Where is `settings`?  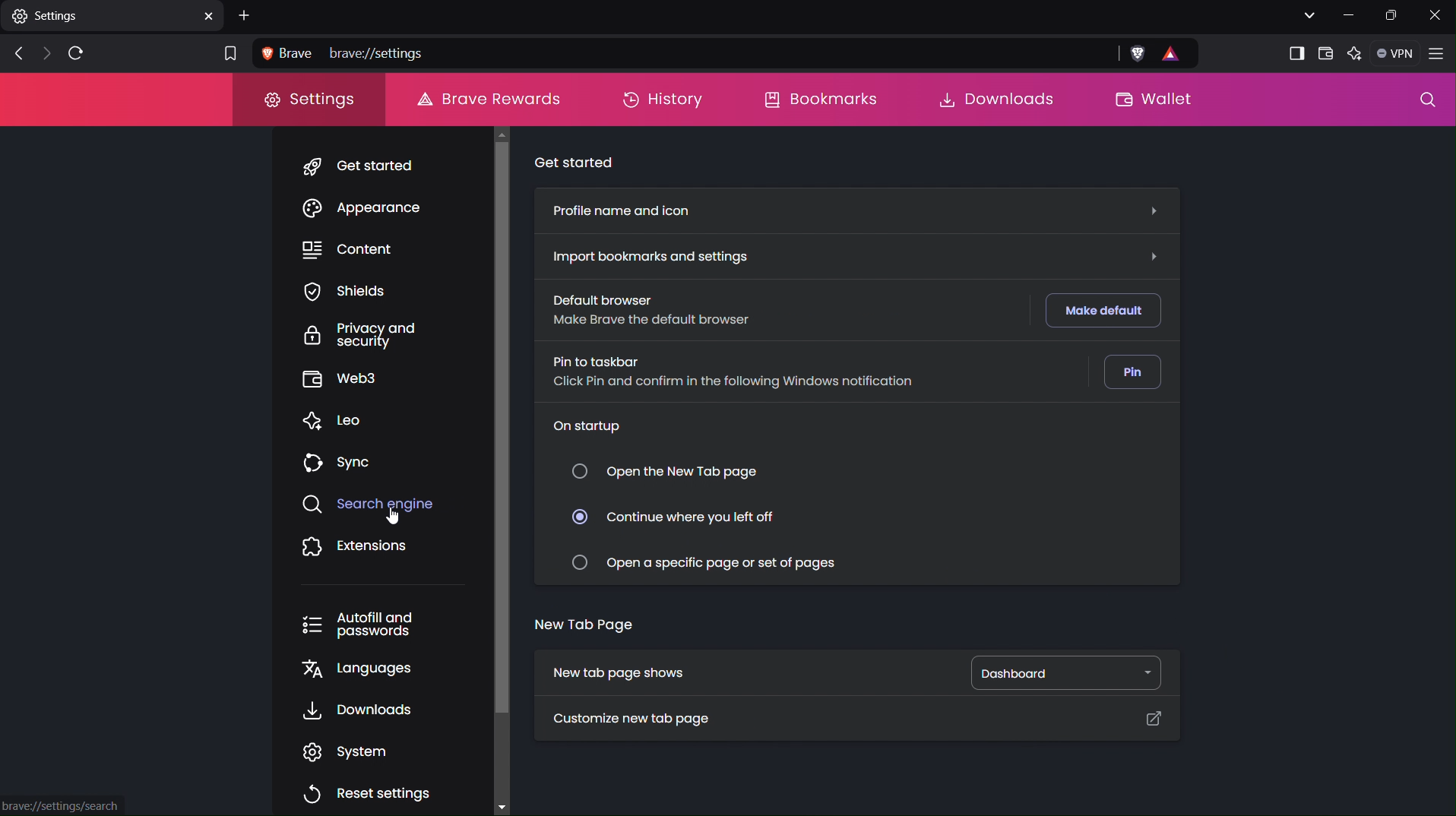
settings is located at coordinates (113, 19).